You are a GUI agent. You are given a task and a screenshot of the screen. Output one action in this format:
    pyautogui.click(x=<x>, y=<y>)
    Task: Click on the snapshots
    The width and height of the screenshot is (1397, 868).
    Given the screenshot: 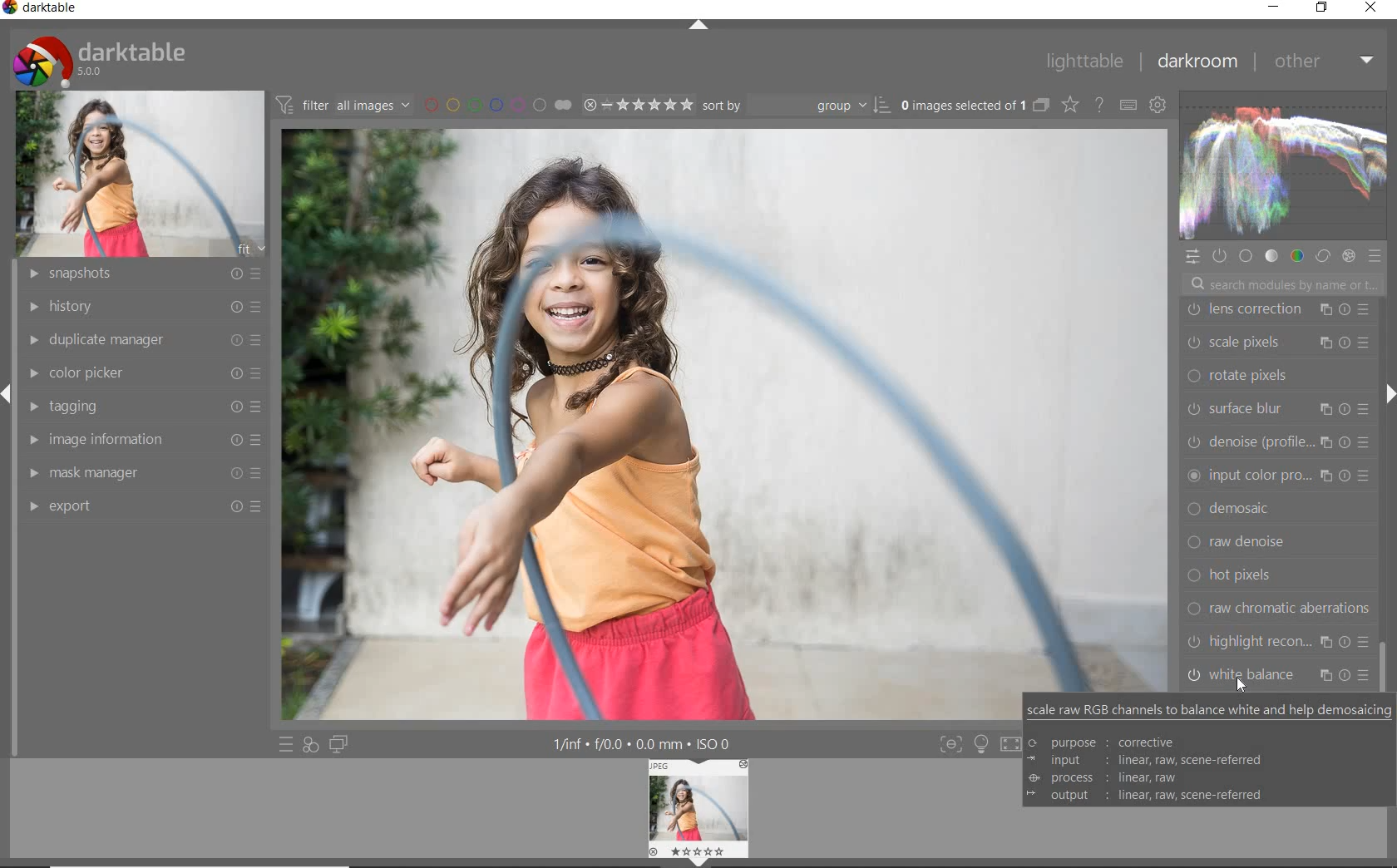 What is the action you would take?
    pyautogui.click(x=139, y=274)
    